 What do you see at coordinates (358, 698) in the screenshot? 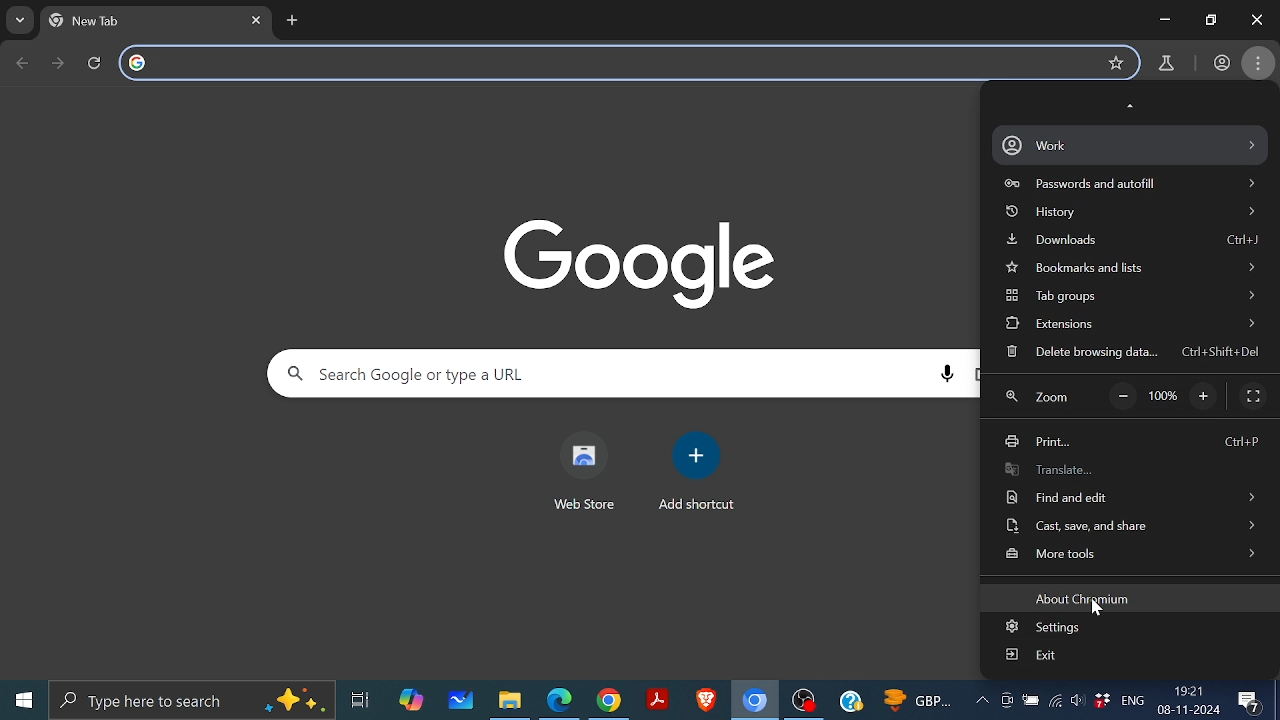
I see `Task View` at bounding box center [358, 698].